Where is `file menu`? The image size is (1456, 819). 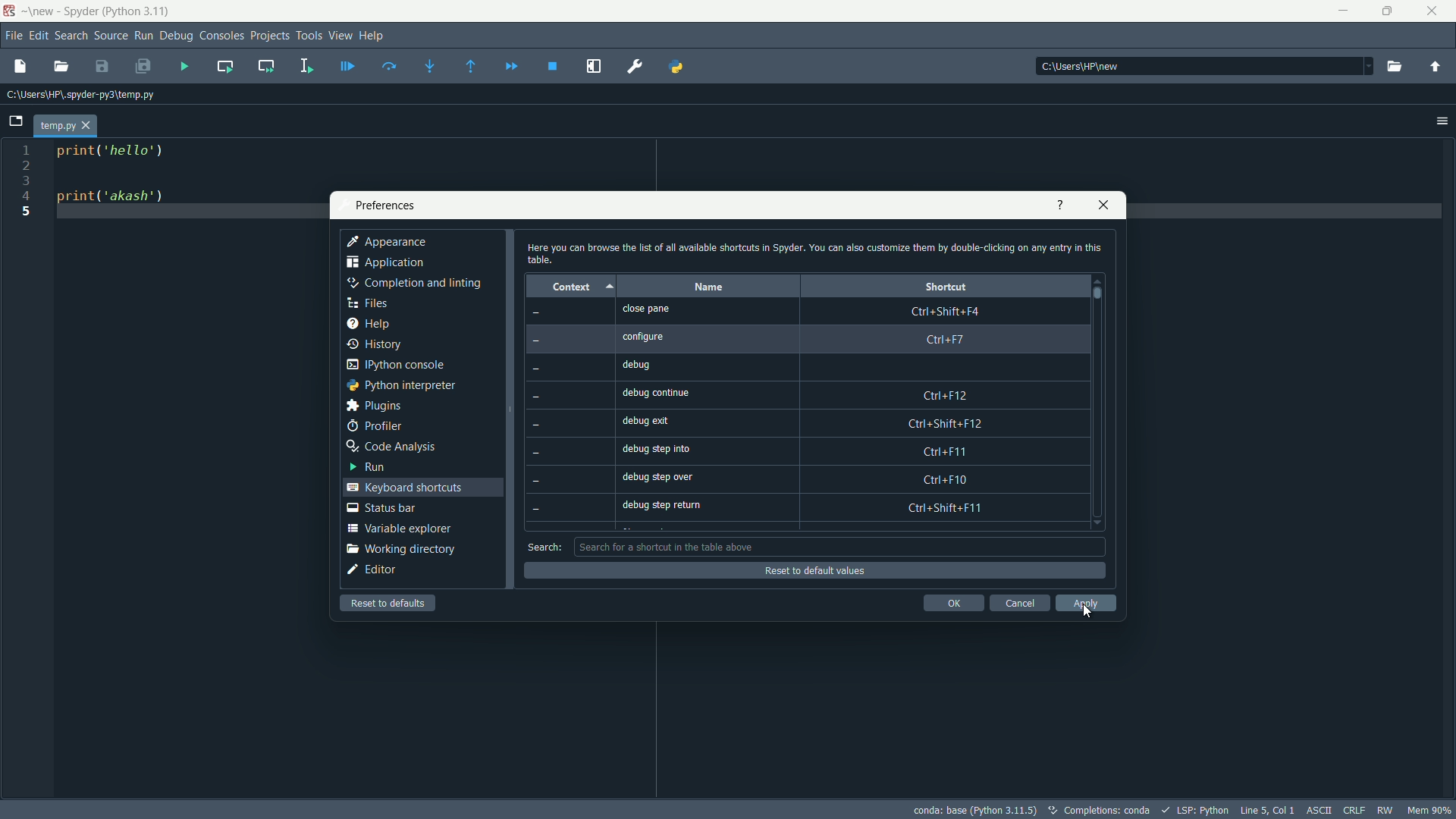 file menu is located at coordinates (13, 36).